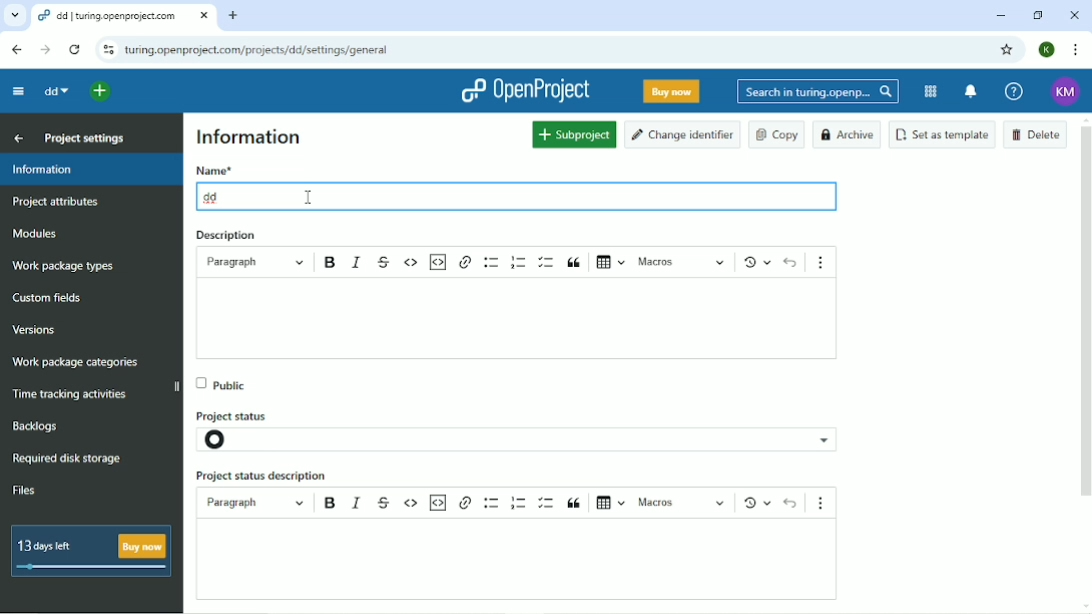  Describe the element at coordinates (528, 560) in the screenshot. I see `text boc` at that location.